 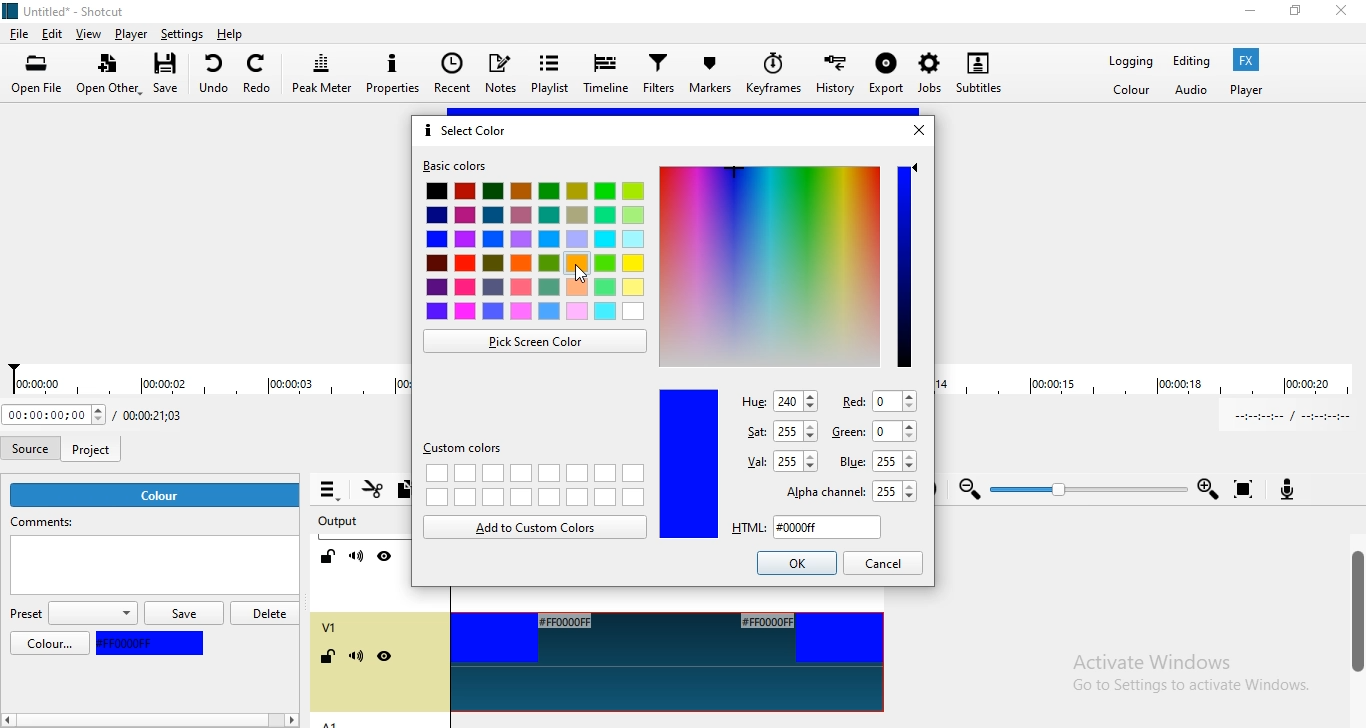 I want to click on Current position, so click(x=54, y=416).